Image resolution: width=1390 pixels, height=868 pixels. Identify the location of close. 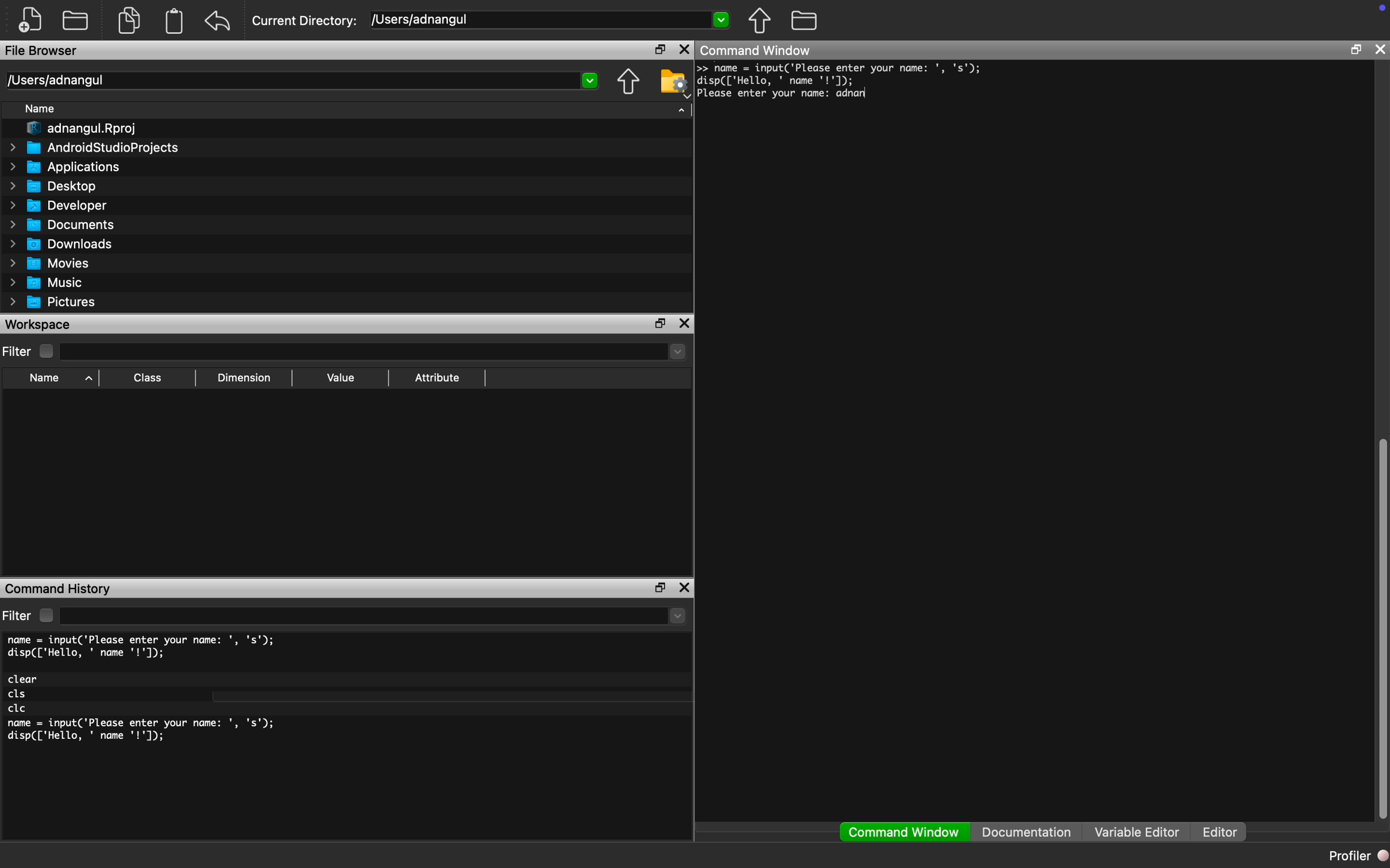
(686, 49).